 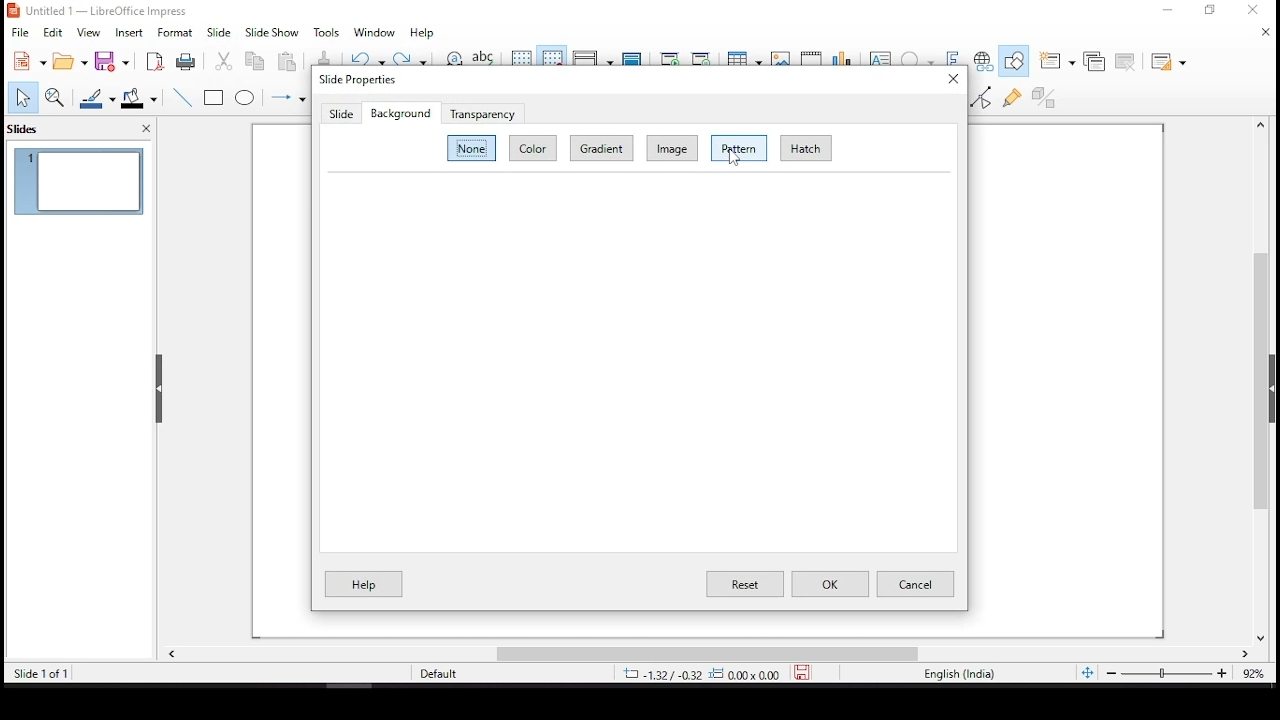 What do you see at coordinates (1168, 9) in the screenshot?
I see `minimize` at bounding box center [1168, 9].